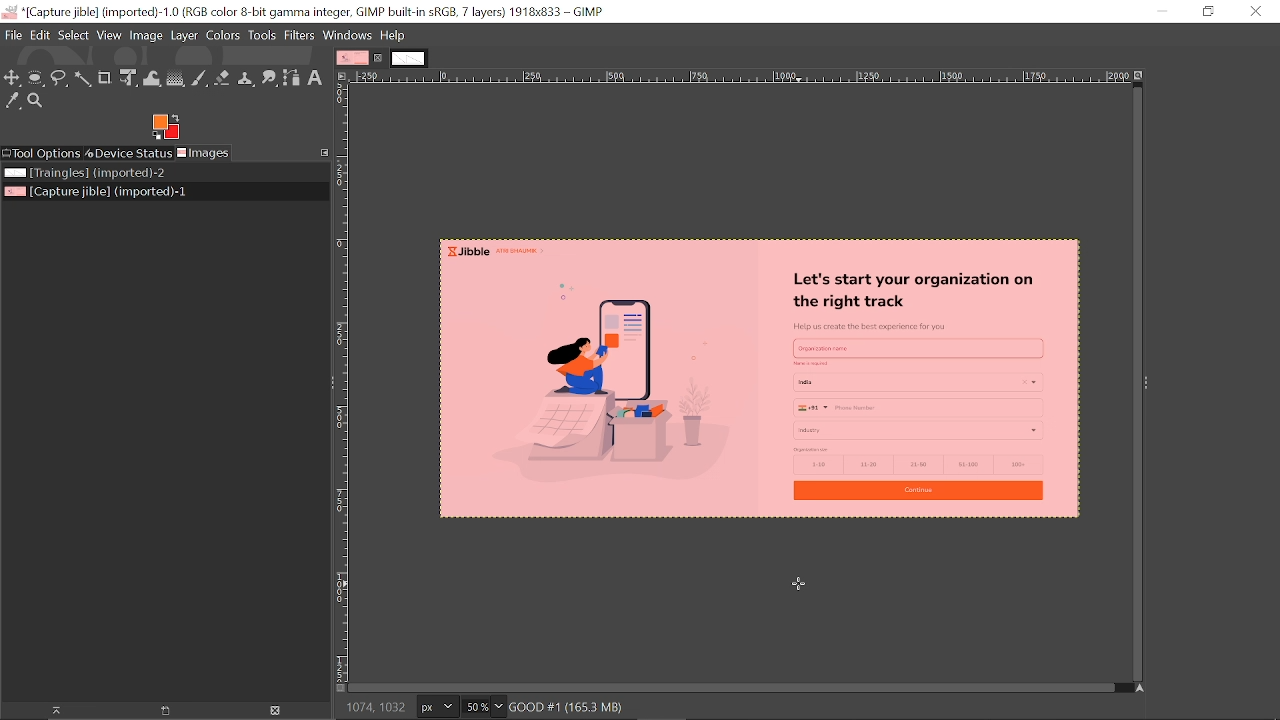 This screenshot has width=1280, height=720. What do you see at coordinates (128, 78) in the screenshot?
I see `Unified transform tool` at bounding box center [128, 78].